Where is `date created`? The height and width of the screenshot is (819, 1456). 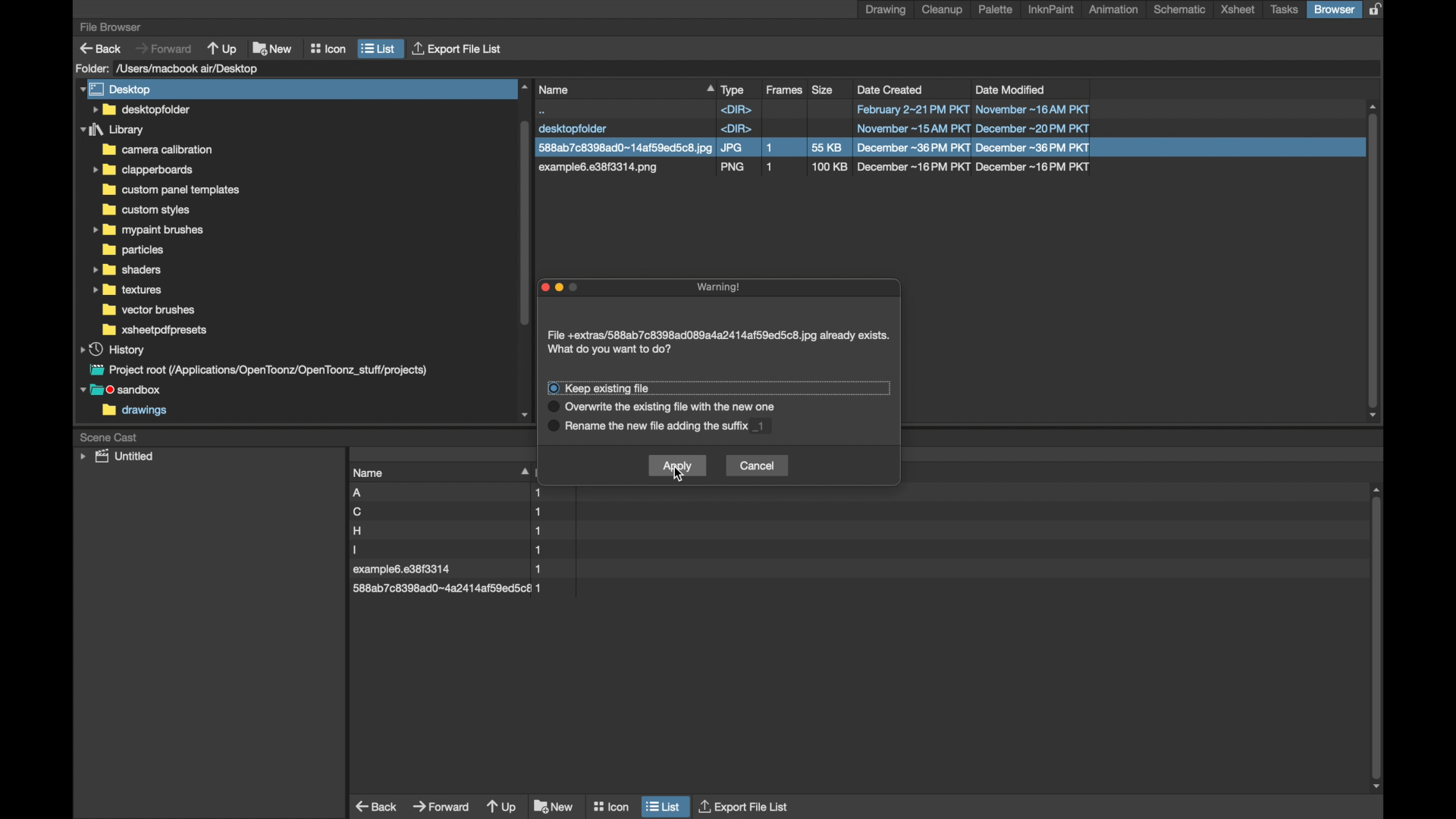 date created is located at coordinates (891, 89).